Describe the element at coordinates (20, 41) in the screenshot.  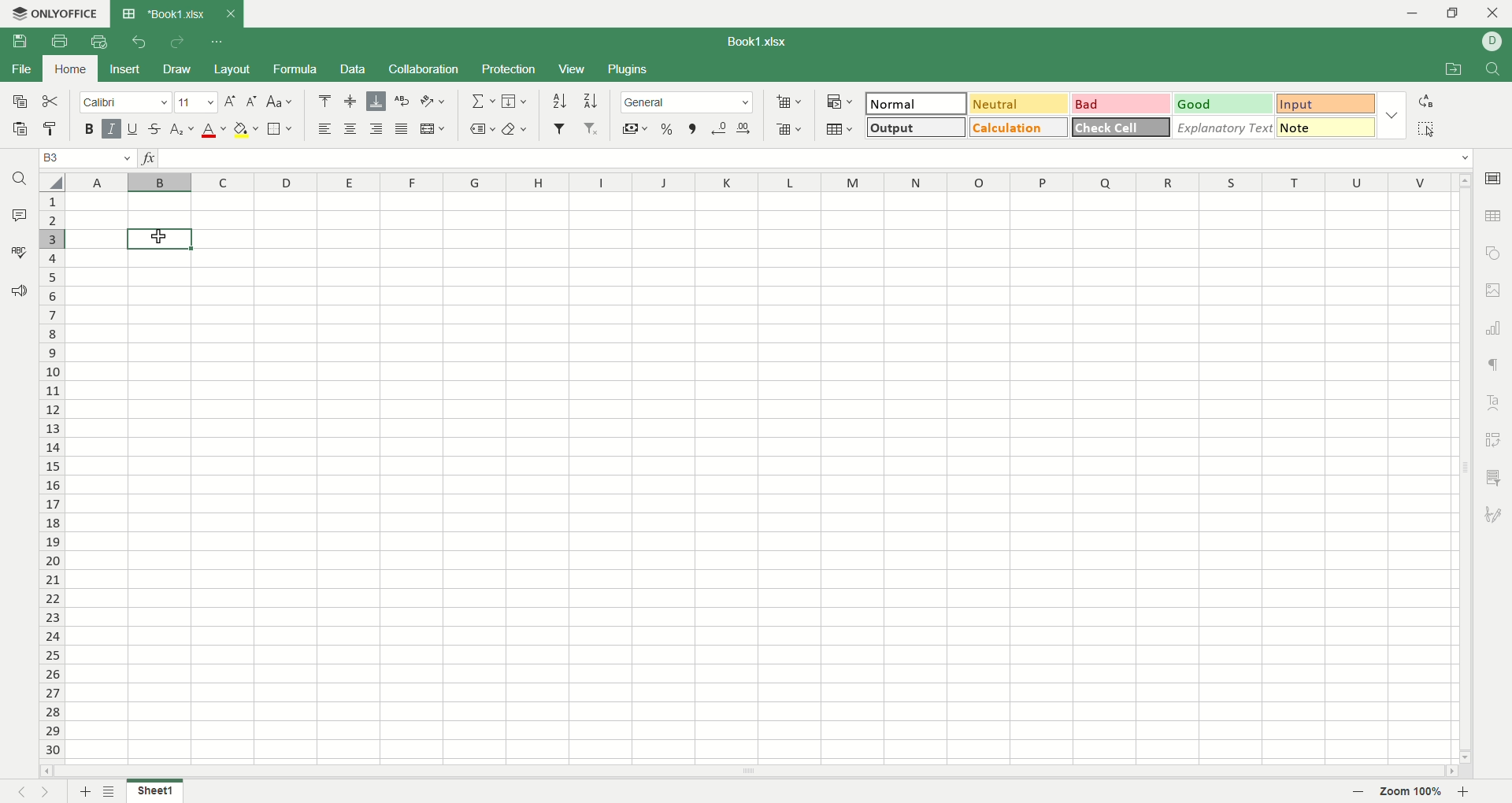
I see `save` at that location.